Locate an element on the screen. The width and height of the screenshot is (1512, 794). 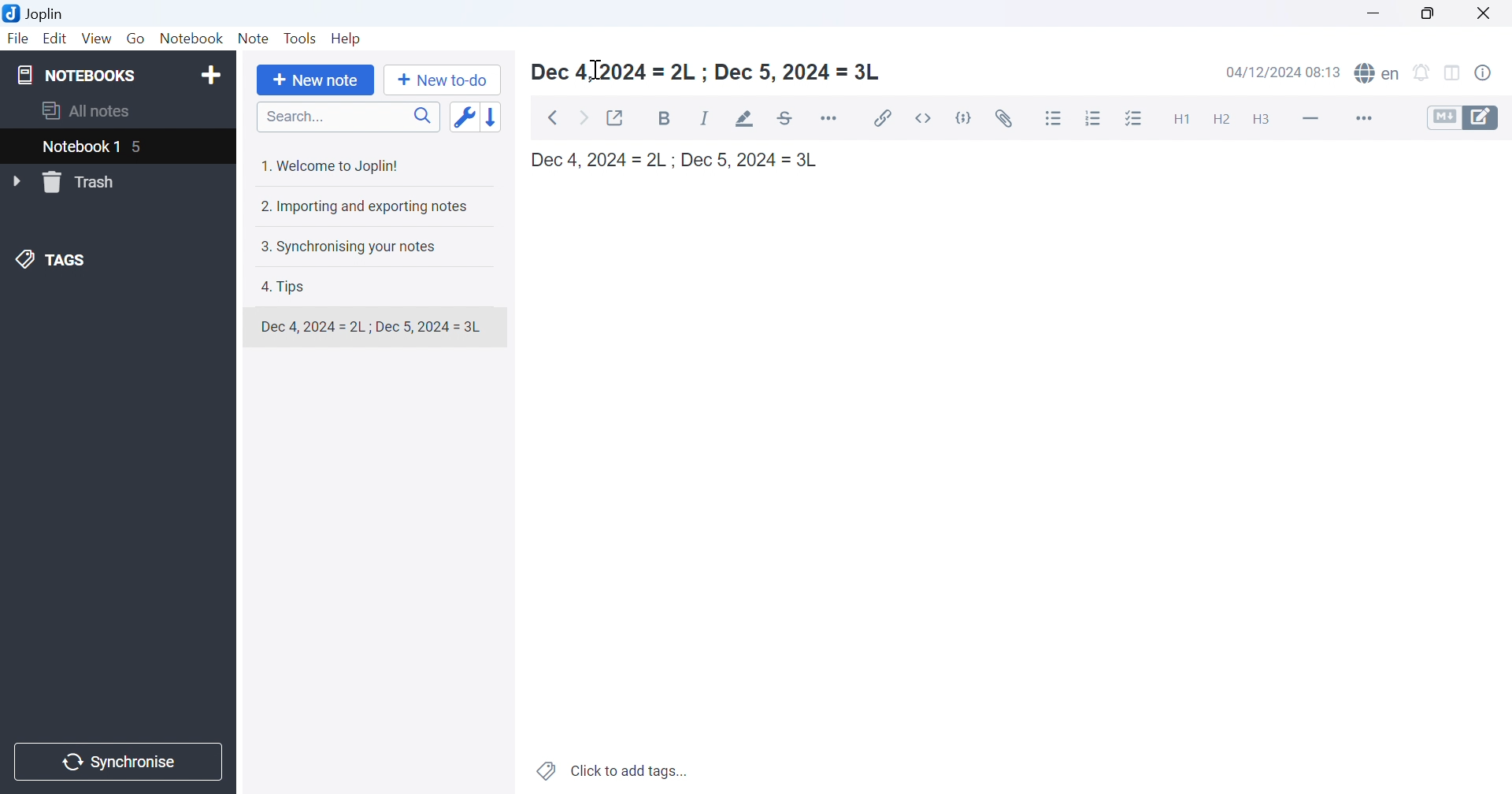
Inline code is located at coordinates (925, 118).